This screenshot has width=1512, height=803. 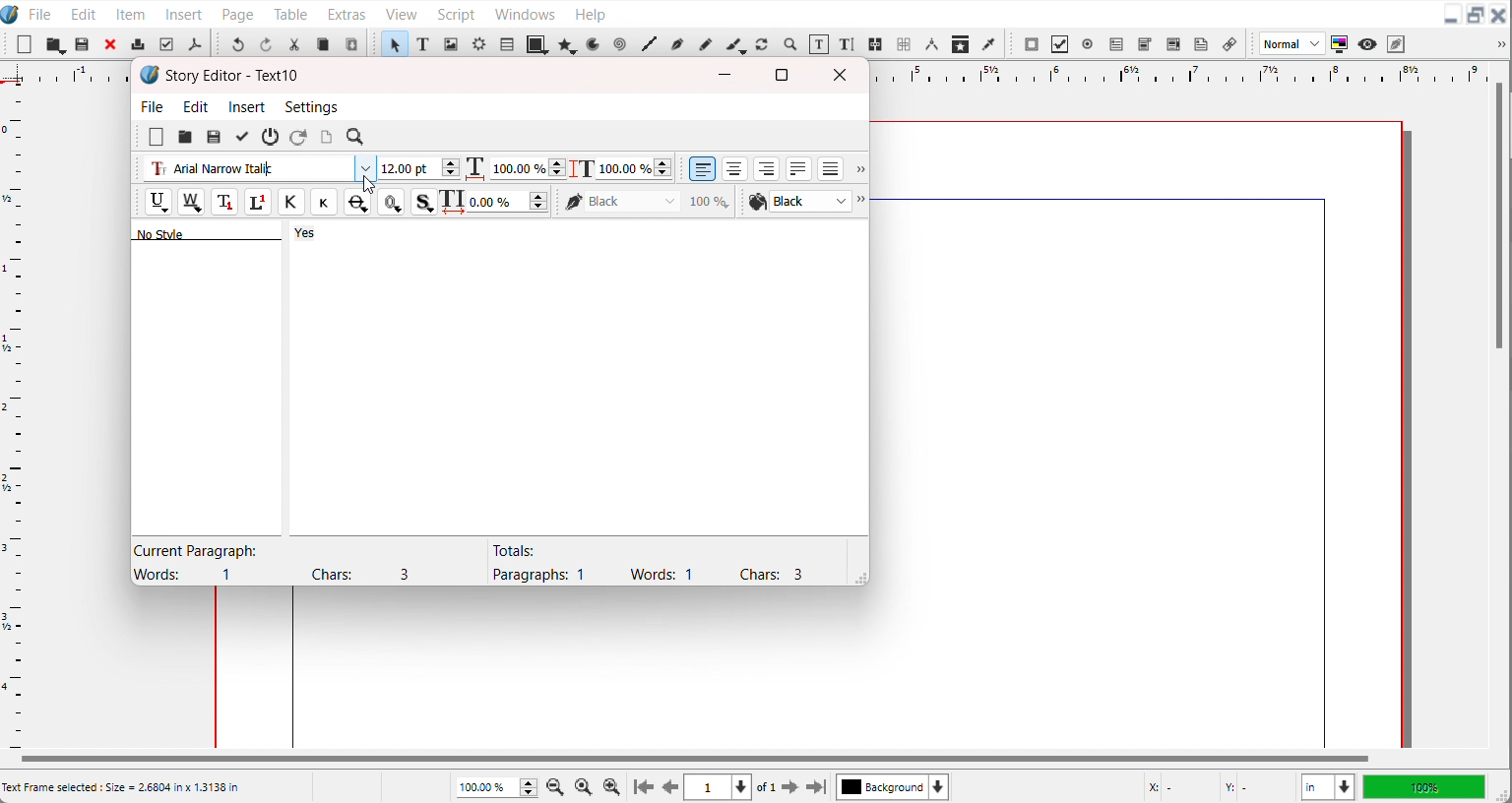 What do you see at coordinates (197, 106) in the screenshot?
I see `Edit` at bounding box center [197, 106].